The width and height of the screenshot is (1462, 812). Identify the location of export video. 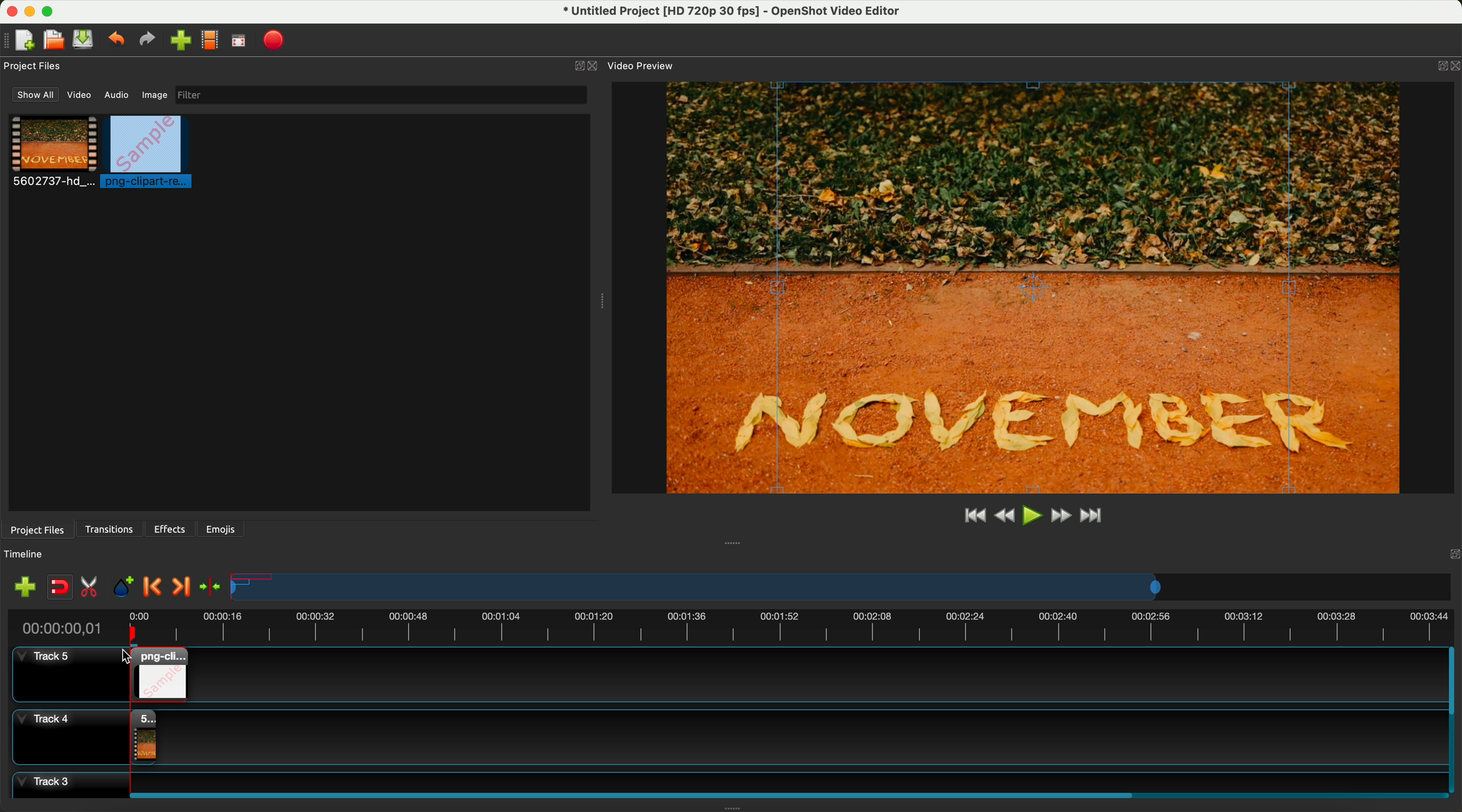
(278, 40).